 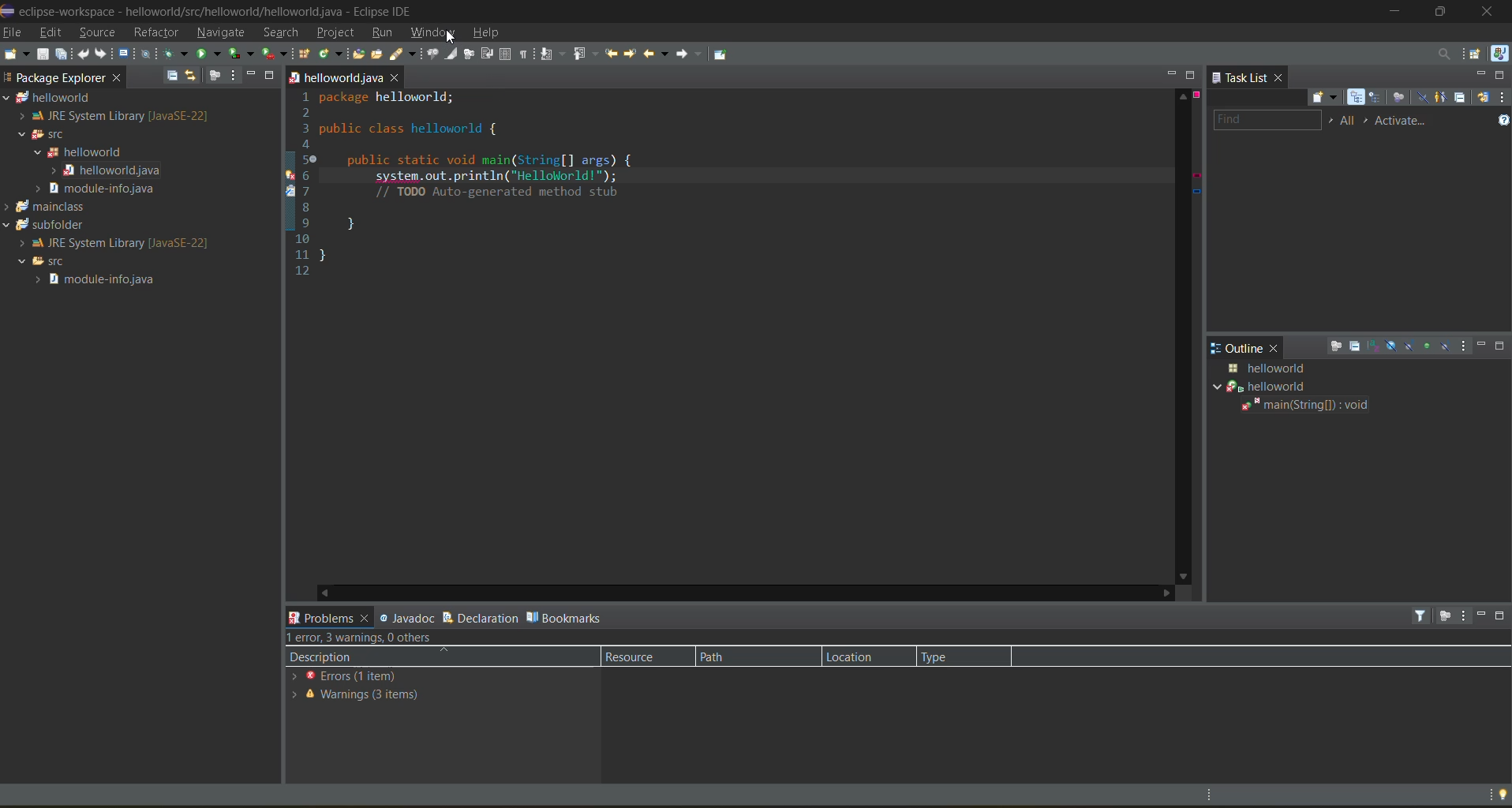 I want to click on helloworld, so click(x=1300, y=386).